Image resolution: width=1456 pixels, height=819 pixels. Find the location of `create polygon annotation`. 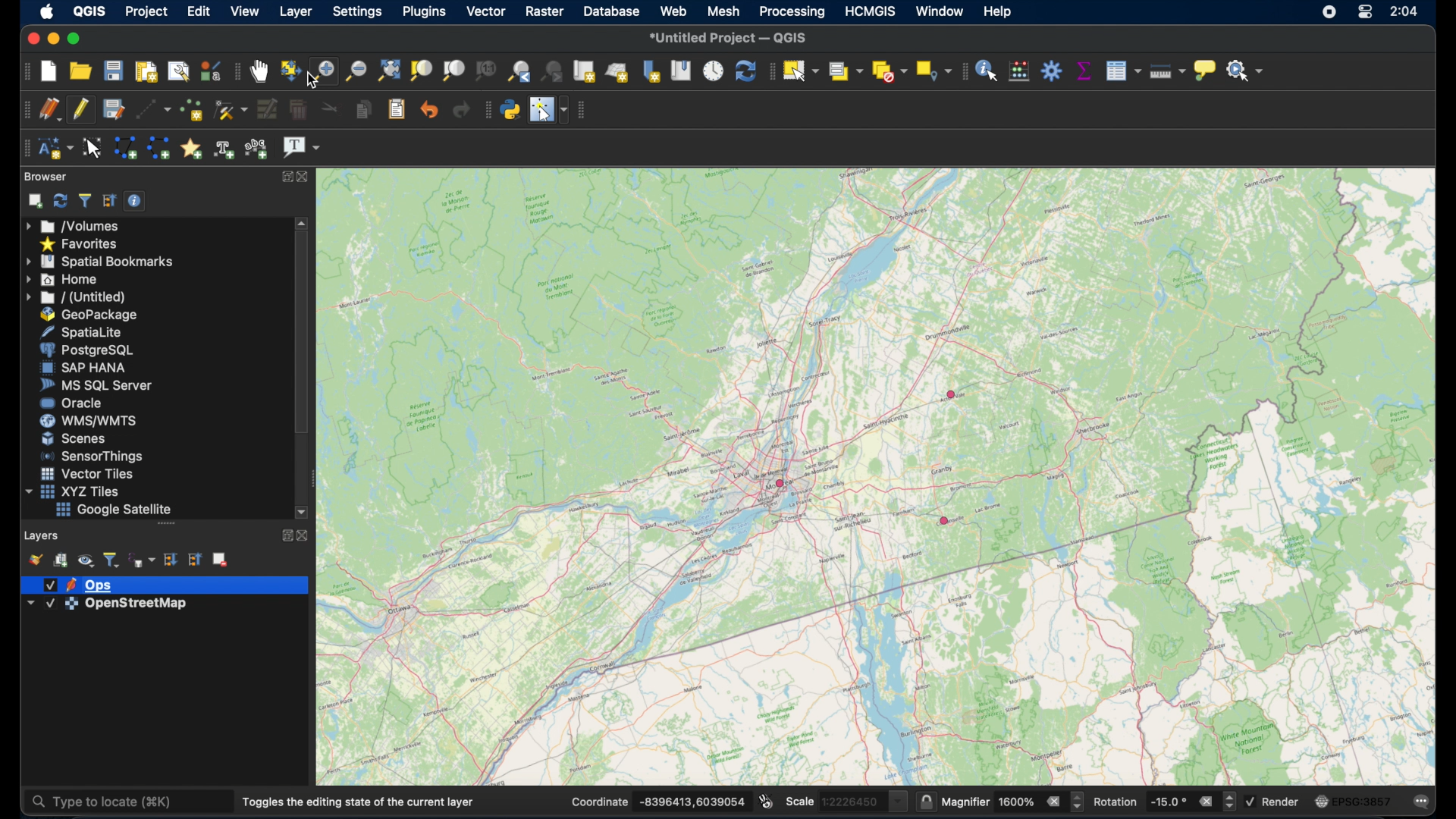

create polygon annotation is located at coordinates (126, 146).